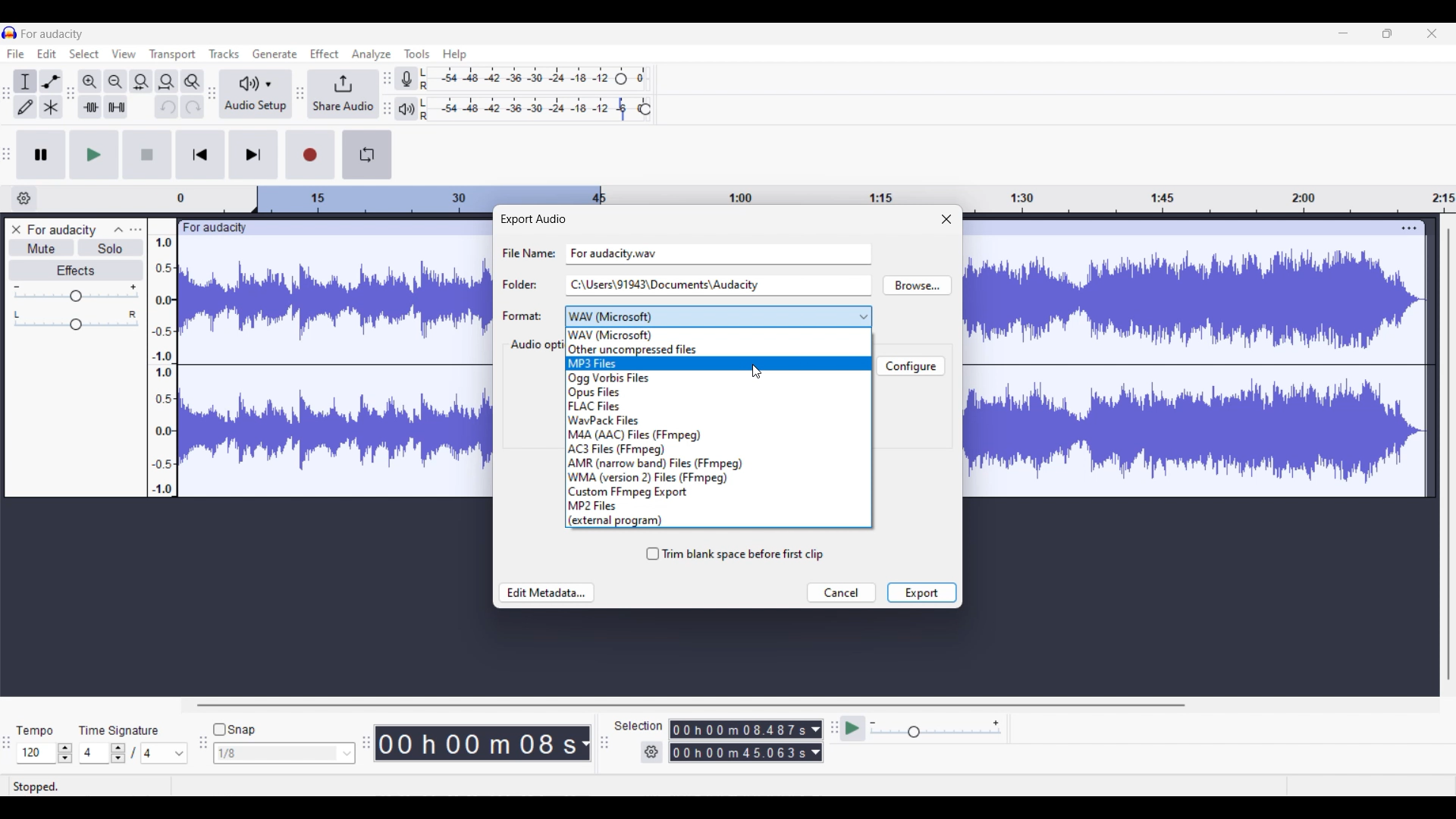 This screenshot has height=819, width=1456. Describe the element at coordinates (16, 53) in the screenshot. I see `File menu` at that location.